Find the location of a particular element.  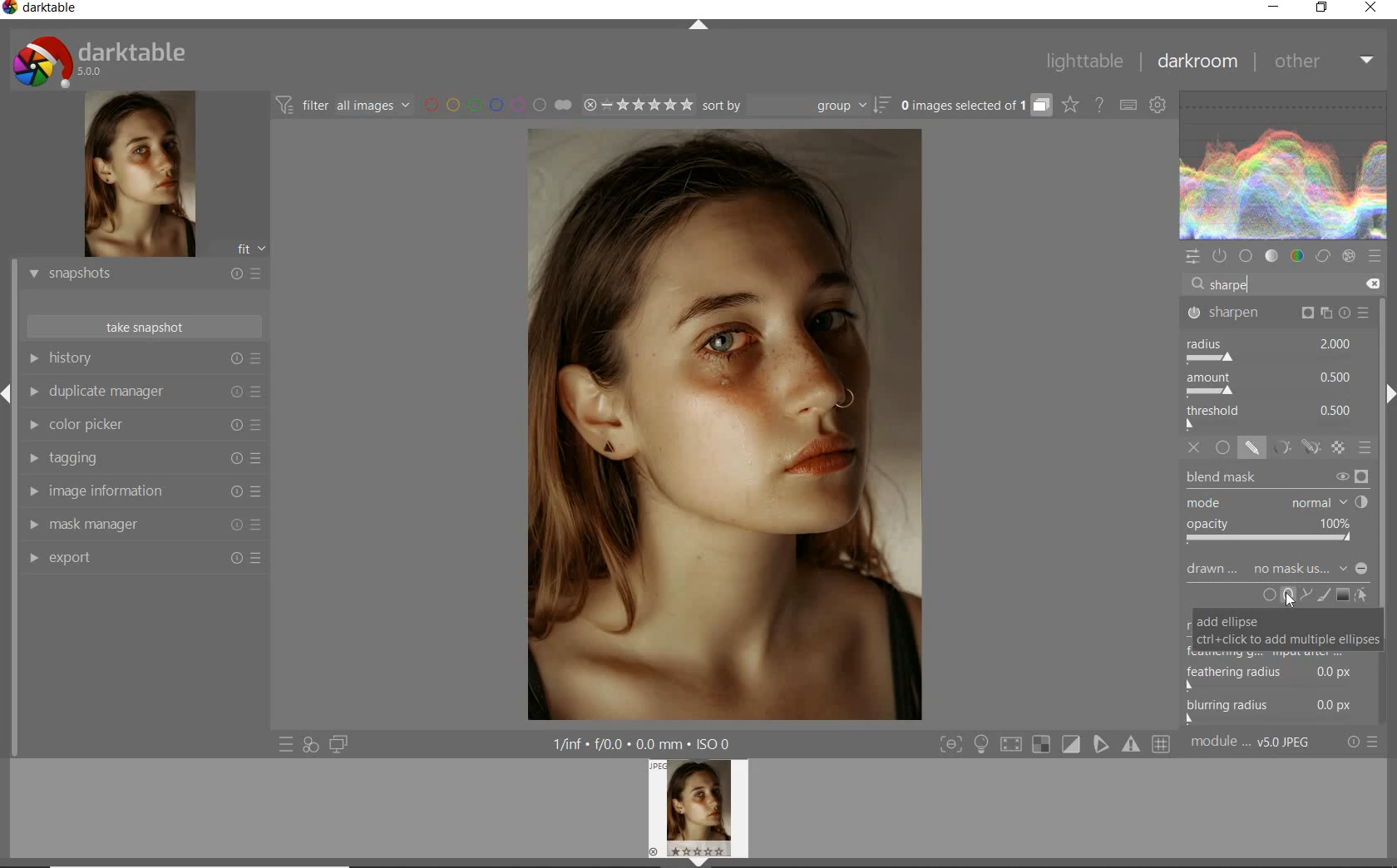

show only active modules is located at coordinates (1222, 256).